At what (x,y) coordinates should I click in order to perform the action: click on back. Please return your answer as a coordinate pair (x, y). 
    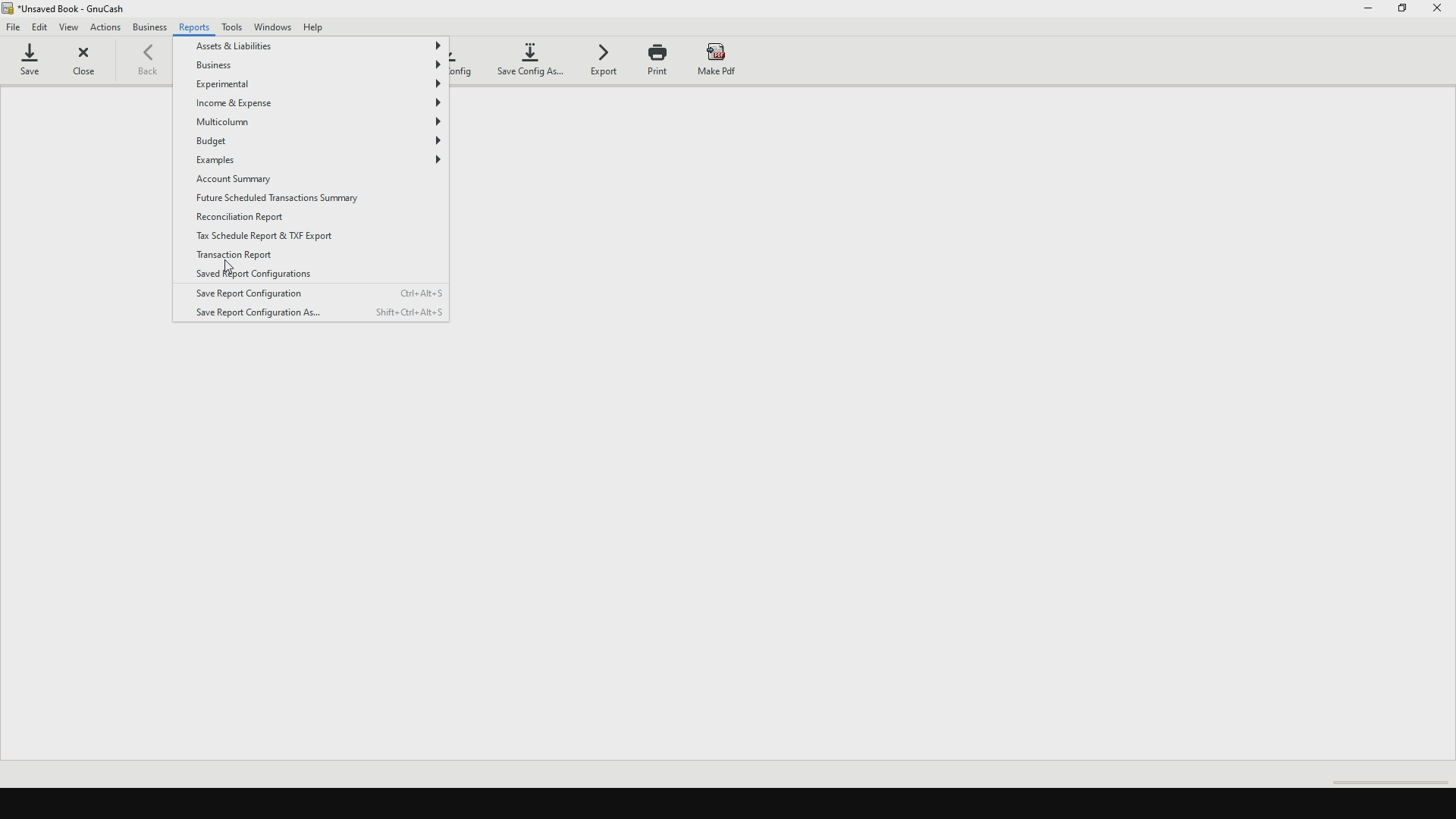
    Looking at the image, I should click on (155, 64).